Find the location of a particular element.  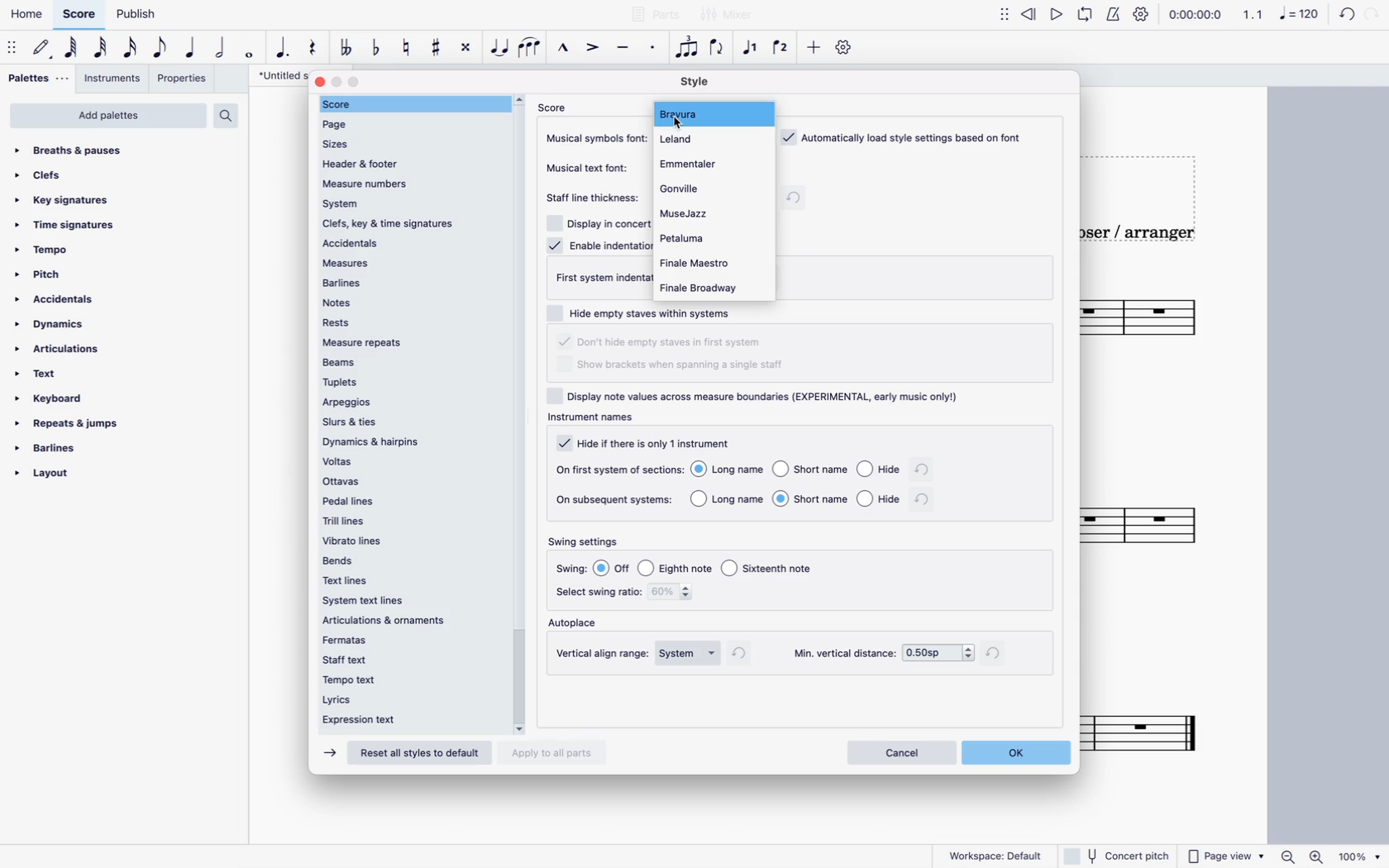

settings is located at coordinates (845, 50).